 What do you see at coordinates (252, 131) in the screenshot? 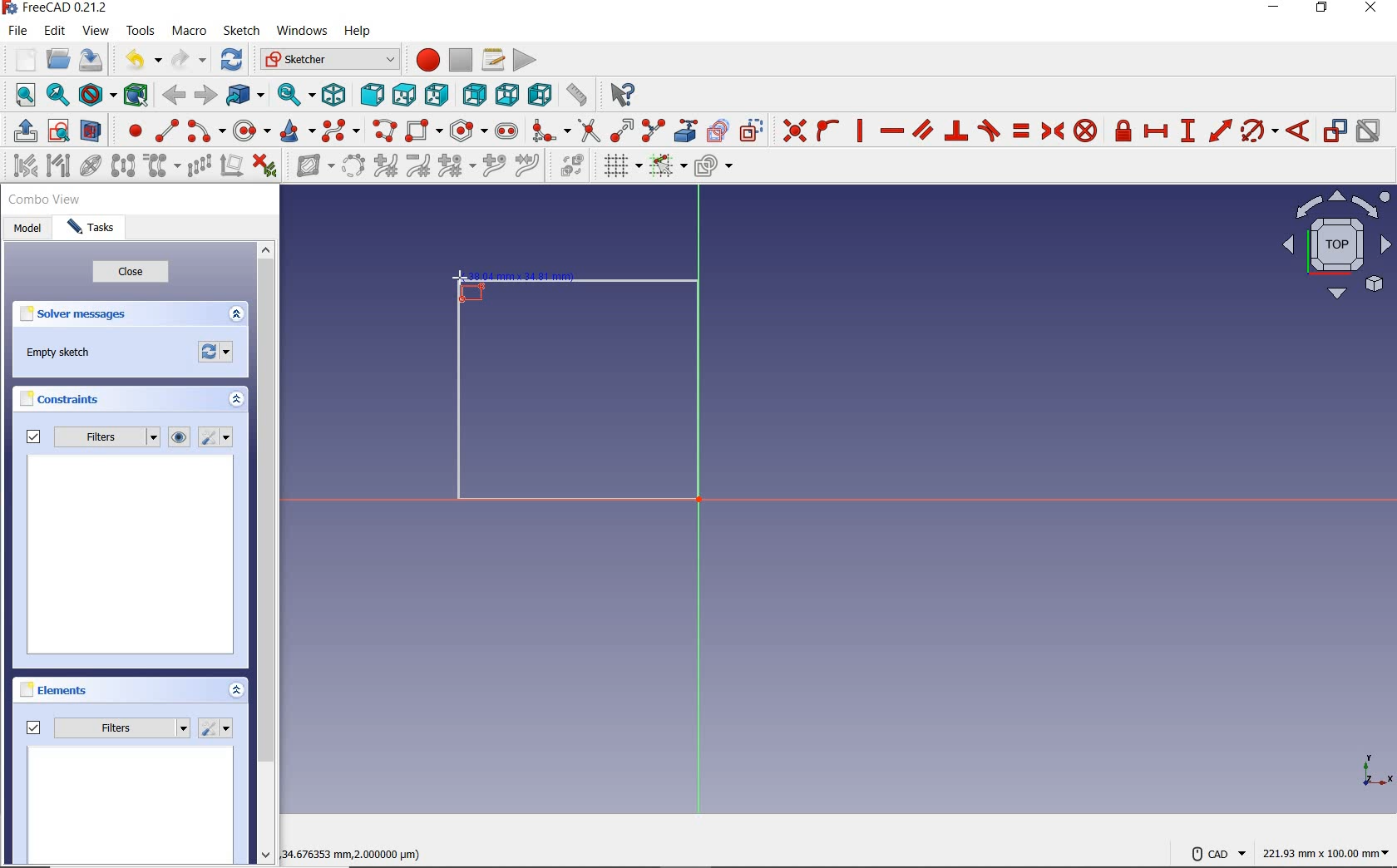
I see `create circle` at bounding box center [252, 131].